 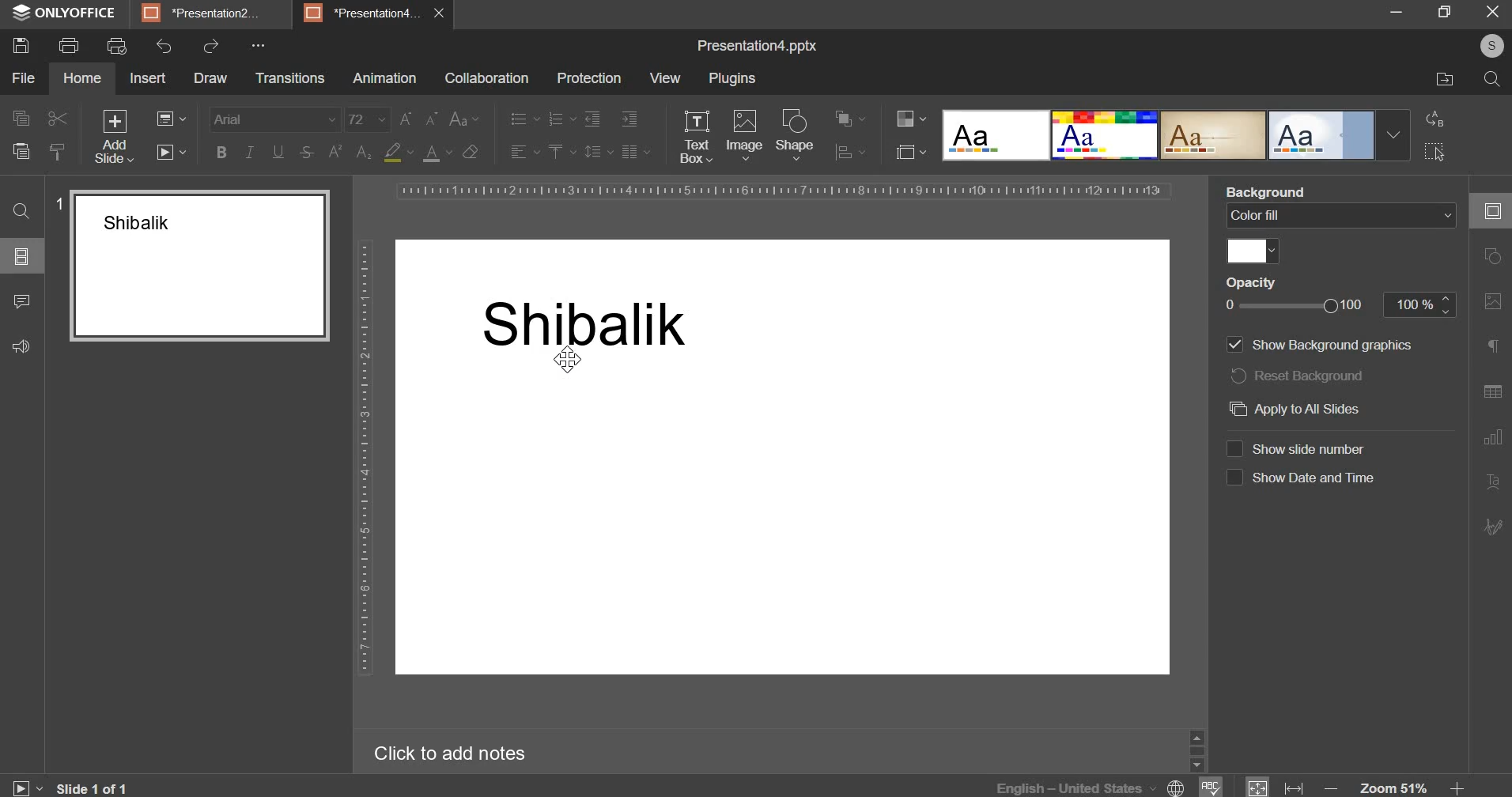 I want to click on Cursor, so click(x=571, y=361).